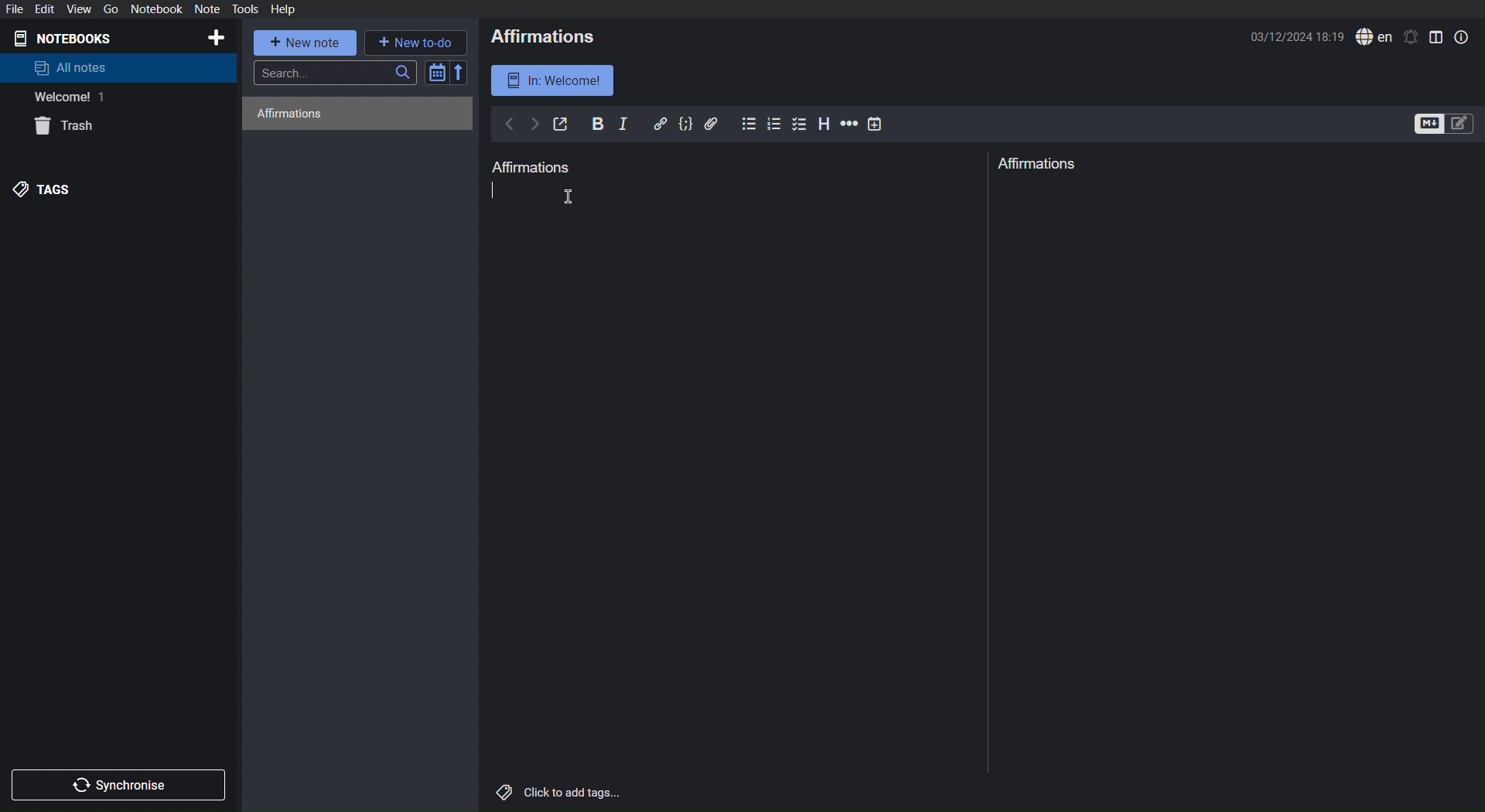  What do you see at coordinates (598, 123) in the screenshot?
I see `Bold` at bounding box center [598, 123].